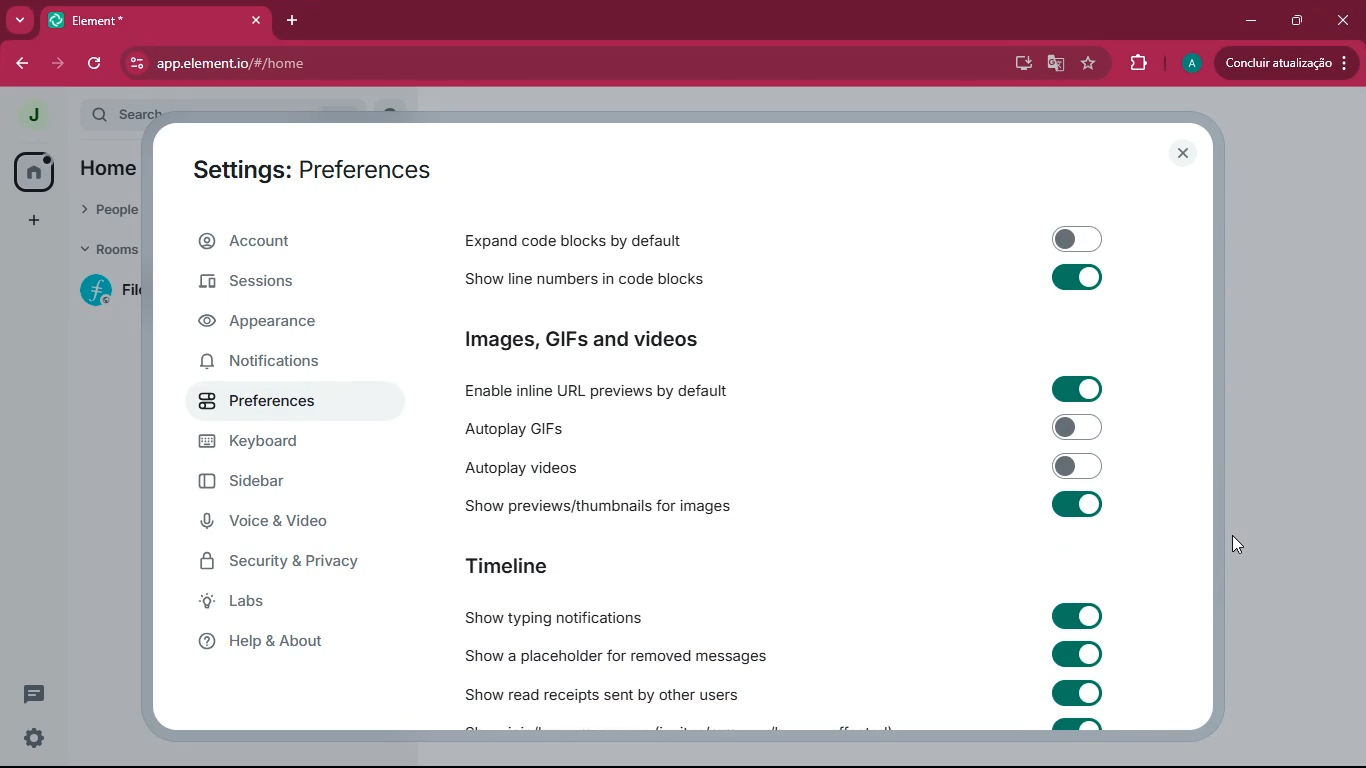  What do you see at coordinates (630, 339) in the screenshot?
I see `images, GIFs and videos` at bounding box center [630, 339].